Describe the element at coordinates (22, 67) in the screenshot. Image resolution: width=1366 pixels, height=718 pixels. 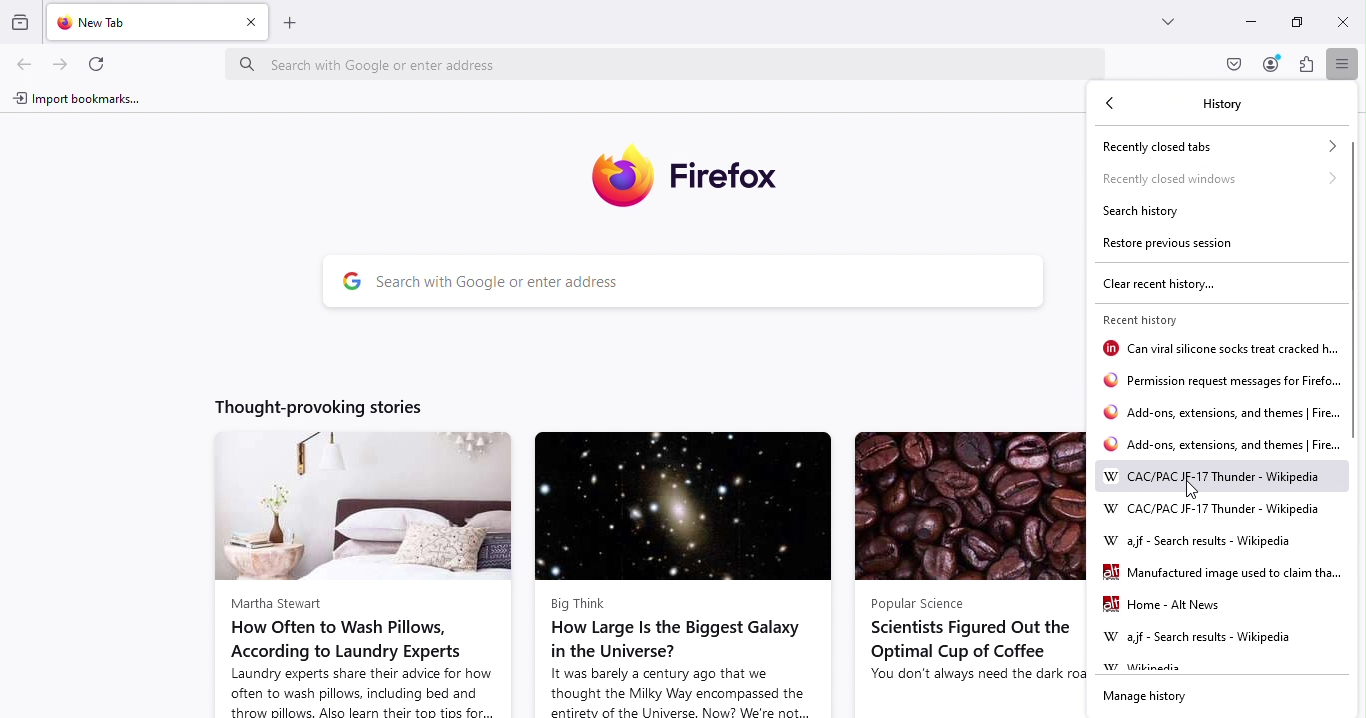
I see `Go back one page` at that location.